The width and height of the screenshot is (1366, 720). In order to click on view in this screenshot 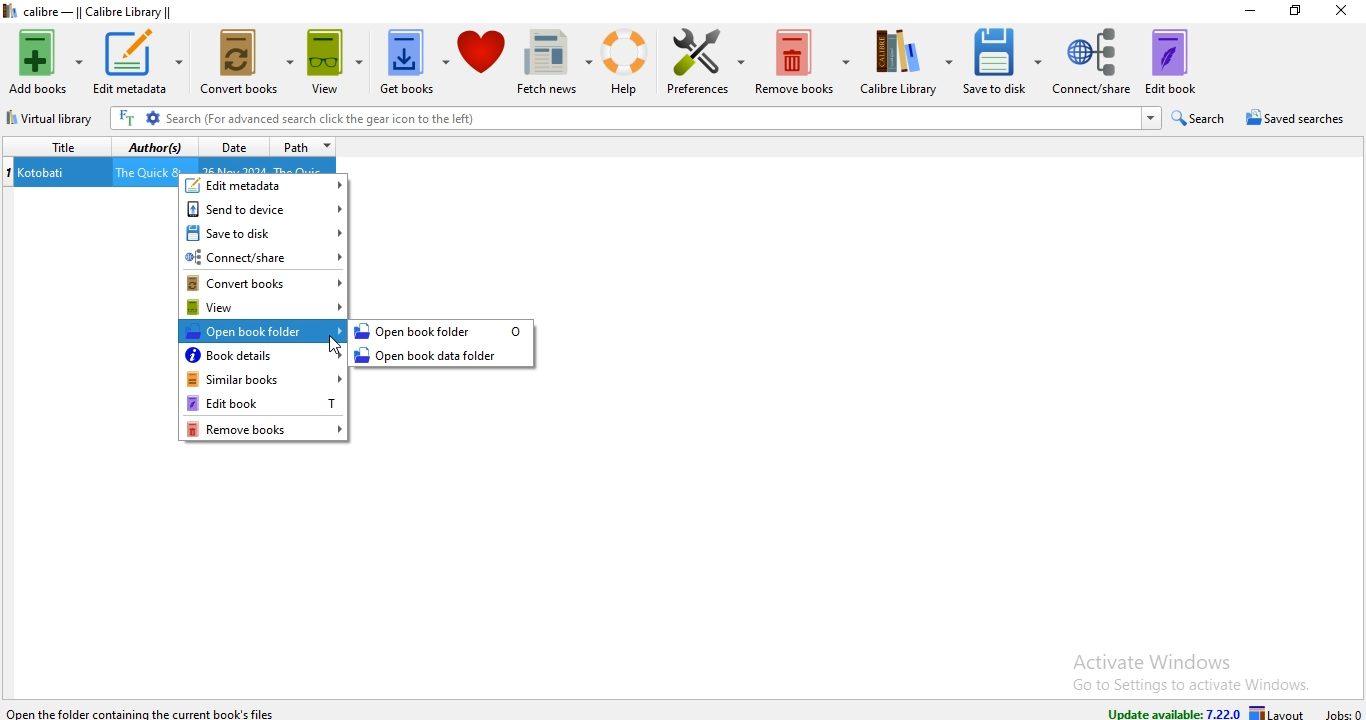, I will do `click(266, 307)`.